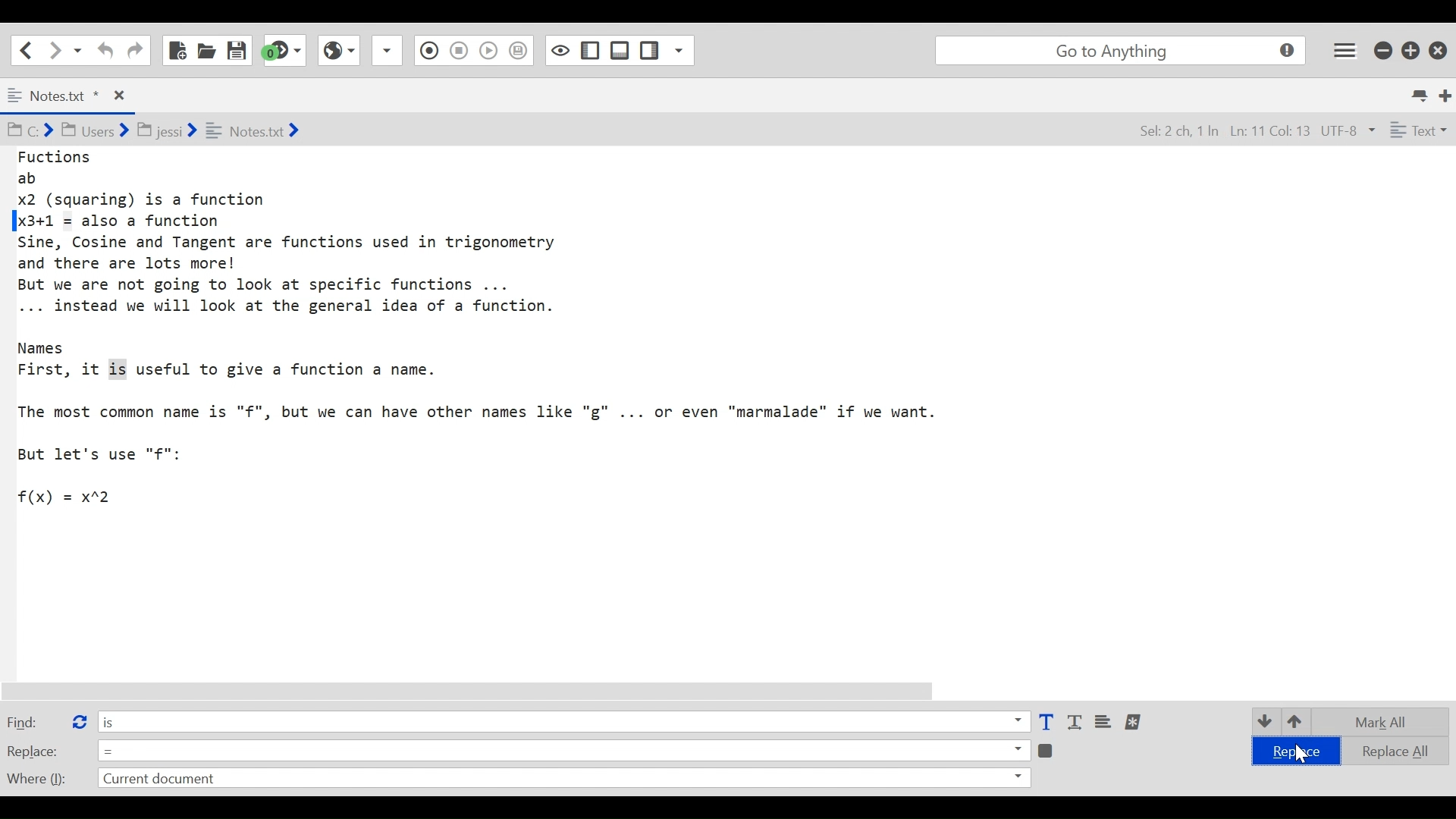  I want to click on Show/Hide Bottom Pane, so click(591, 51).